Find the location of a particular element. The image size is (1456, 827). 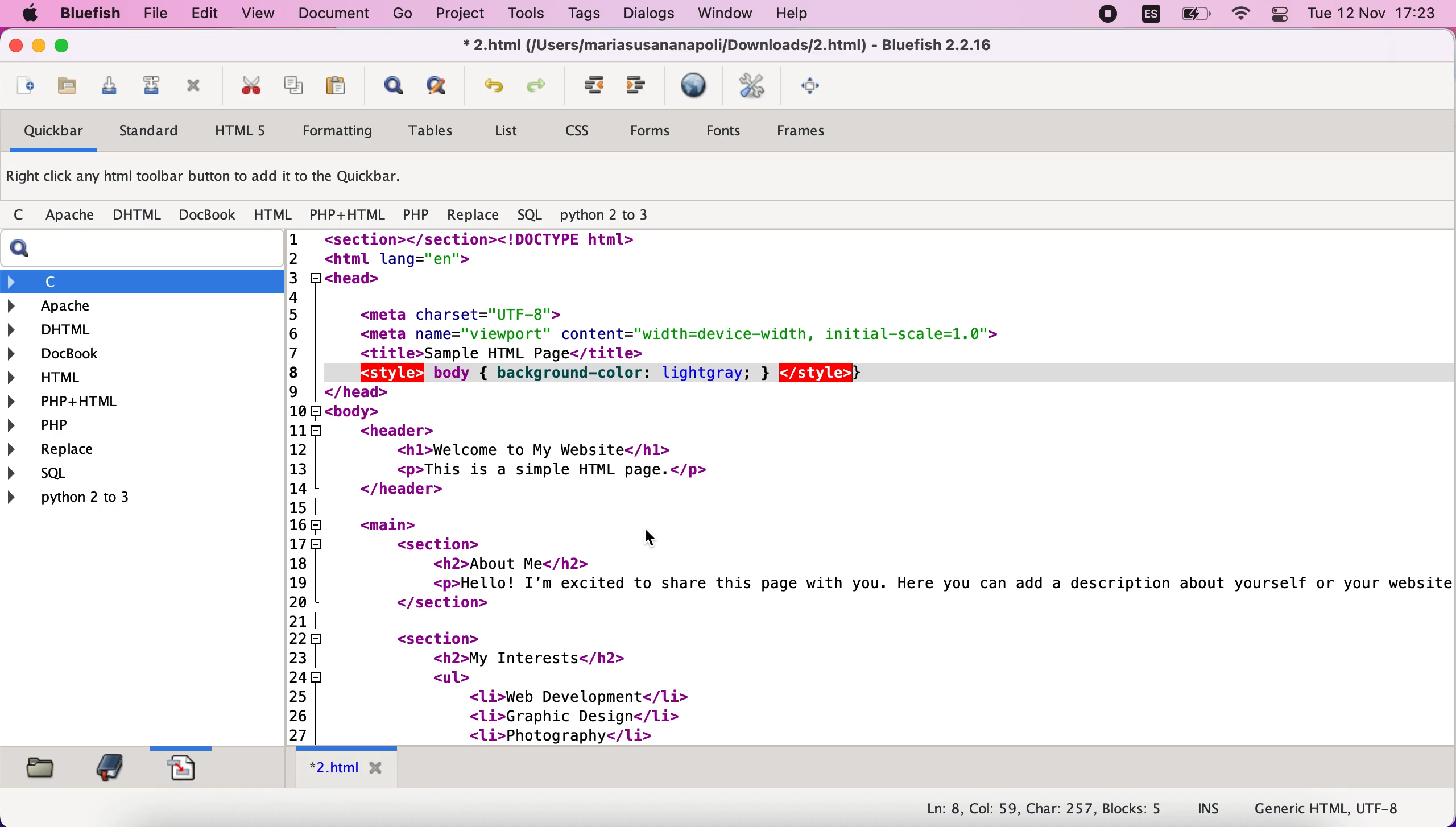

Preview in browser is located at coordinates (698, 86).